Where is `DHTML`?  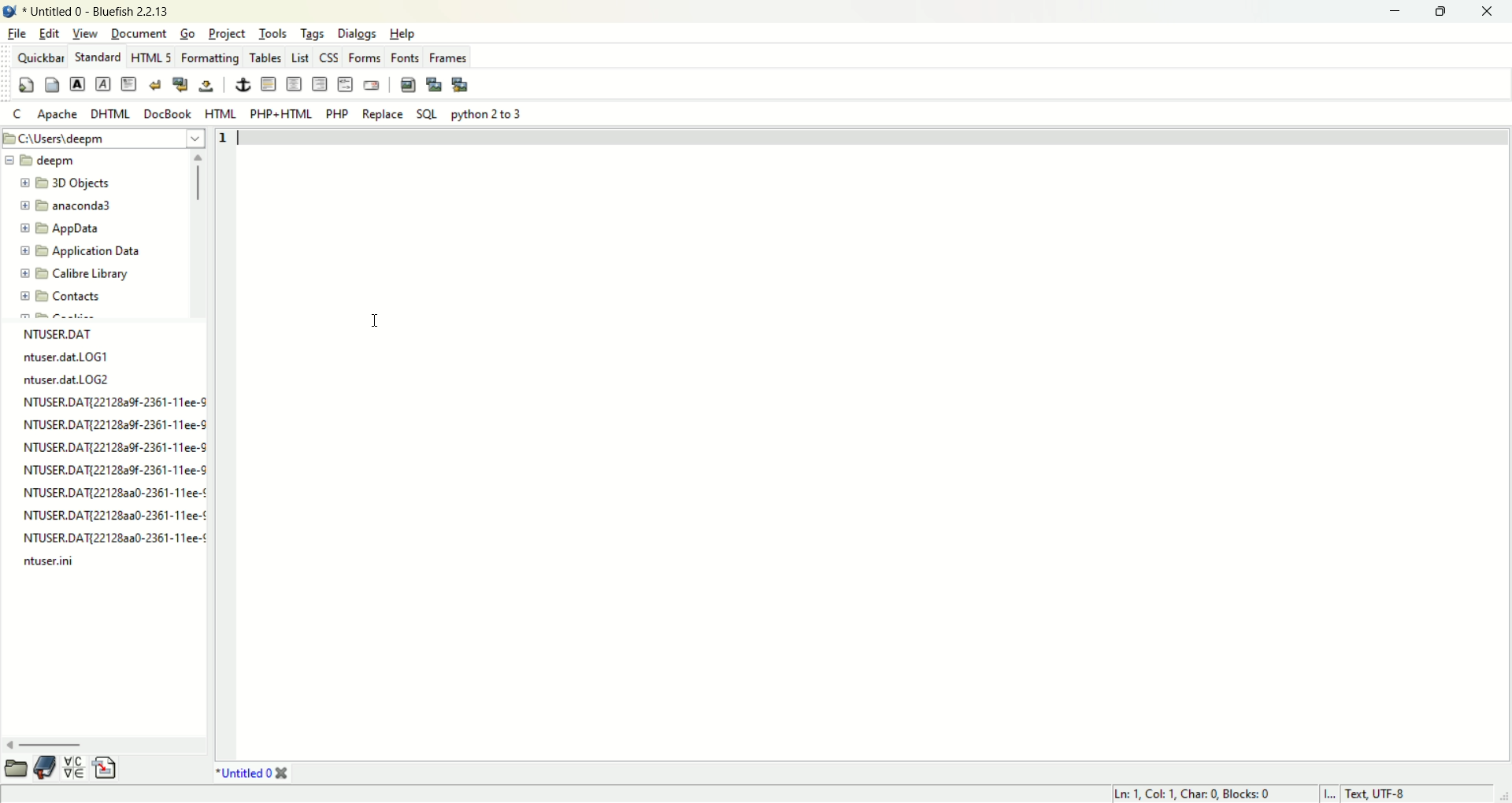 DHTML is located at coordinates (110, 112).